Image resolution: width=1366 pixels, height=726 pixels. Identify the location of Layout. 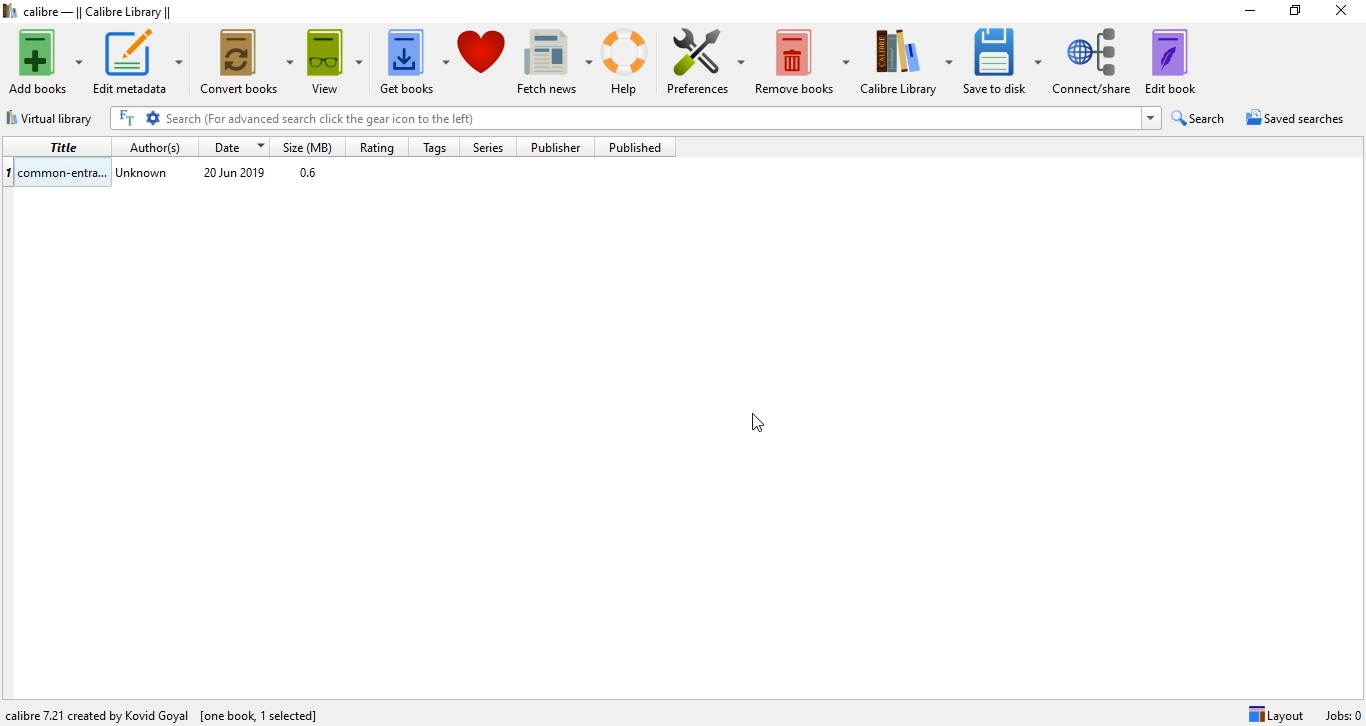
(1276, 714).